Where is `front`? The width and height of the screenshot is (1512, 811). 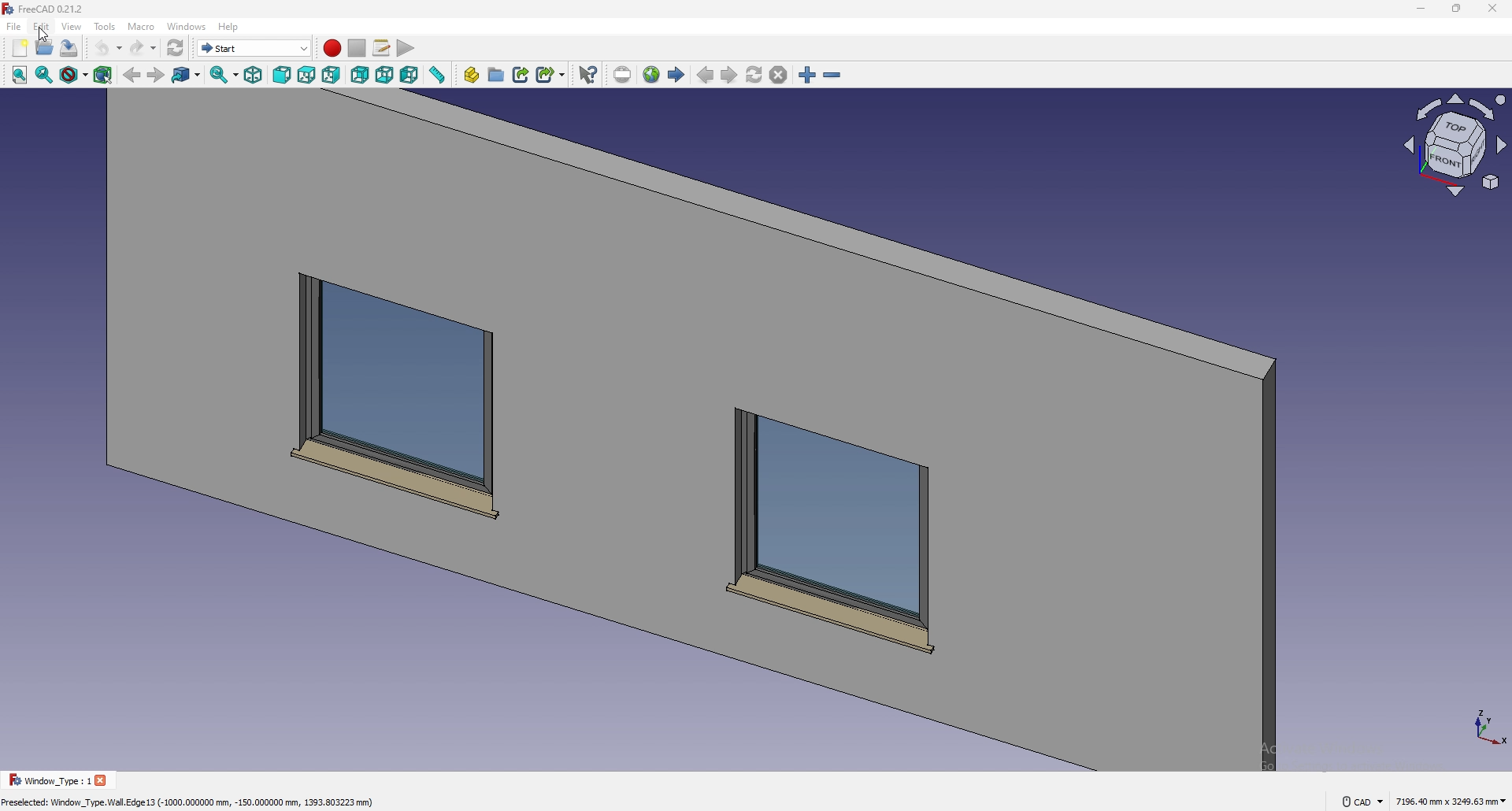 front is located at coordinates (283, 76).